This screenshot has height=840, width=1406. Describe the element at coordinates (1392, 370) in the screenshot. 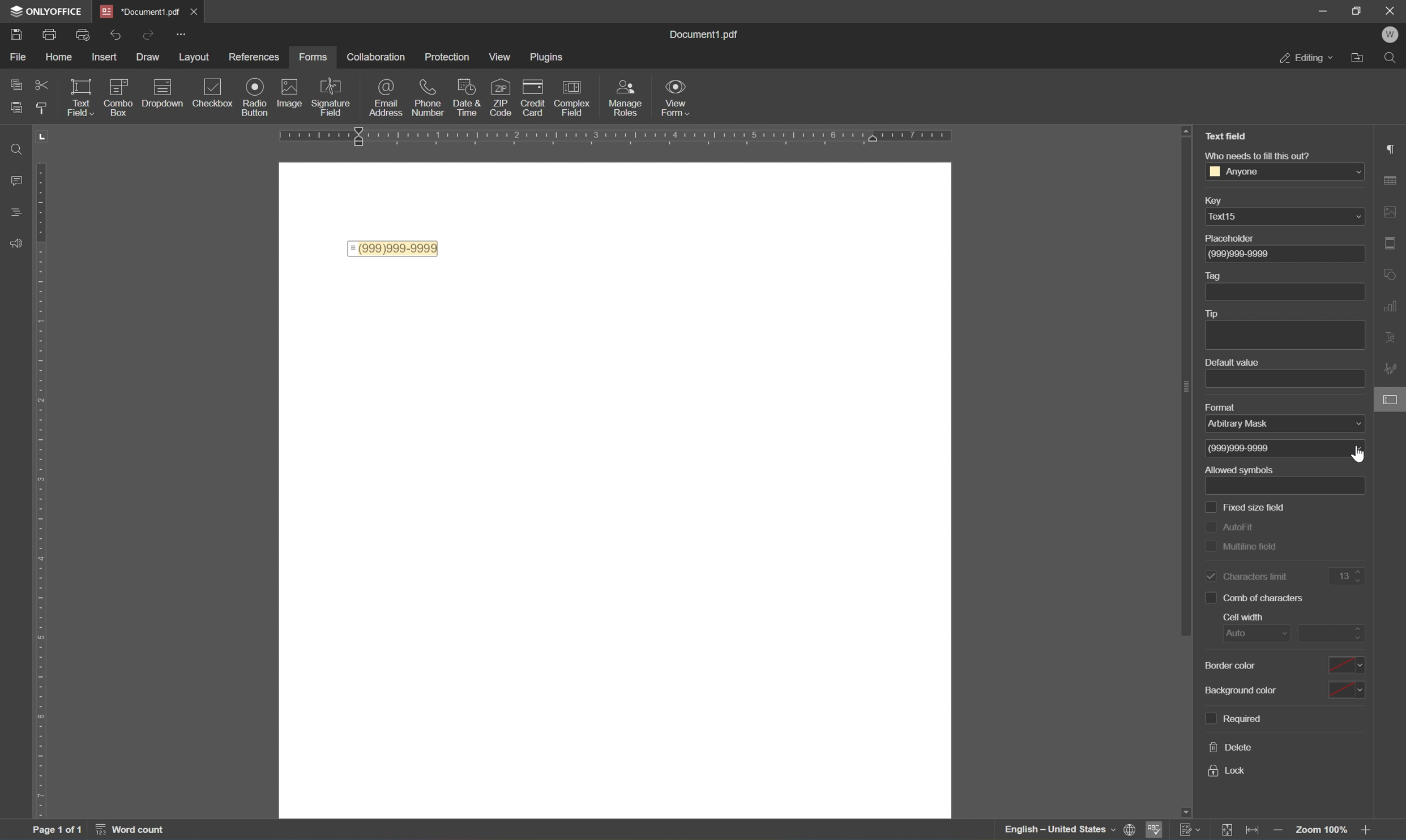

I see `signature settings` at that location.